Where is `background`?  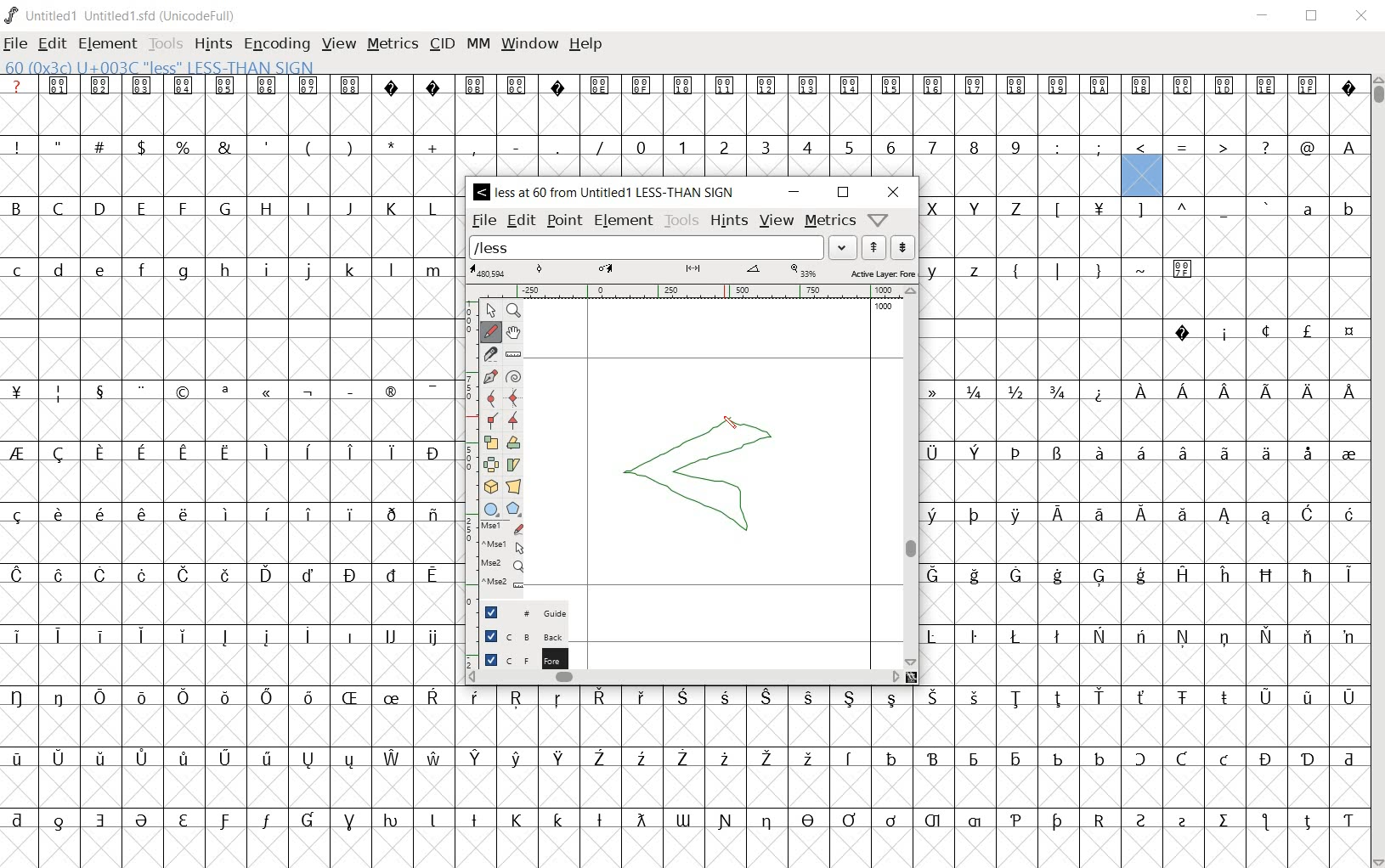
background is located at coordinates (516, 635).